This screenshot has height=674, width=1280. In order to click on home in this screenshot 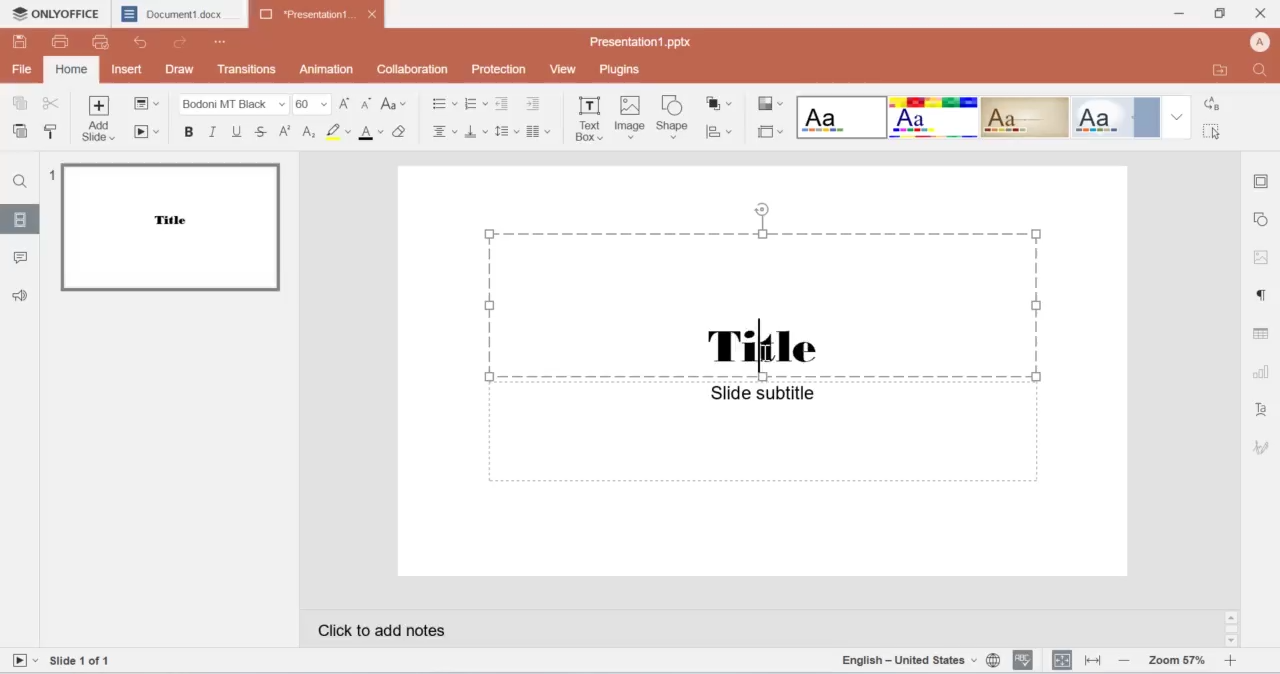, I will do `click(70, 71)`.